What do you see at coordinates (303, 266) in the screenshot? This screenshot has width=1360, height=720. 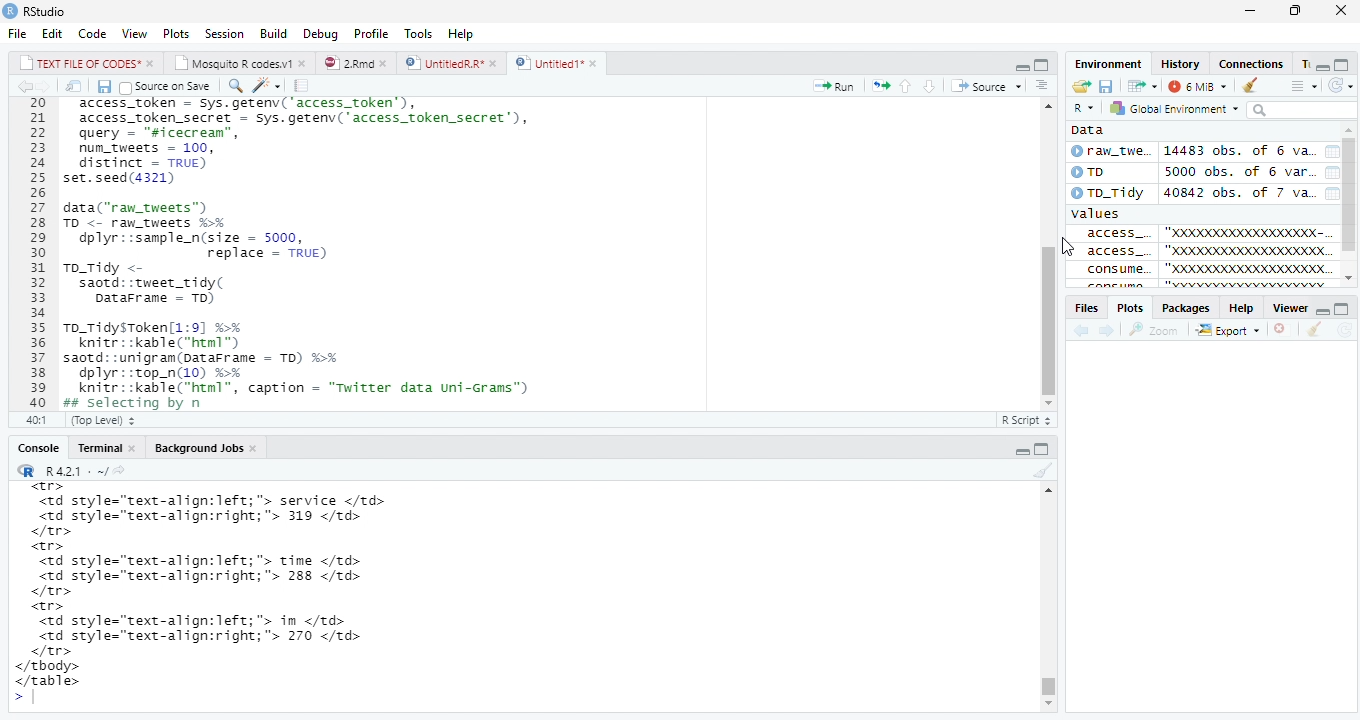 I see `20 access_token - Sys.getenv('access_token’),
21 access_token_secret - sys.getenv( access_token secret’),
22 query - "sicecrean”,

23 num_tweets = 100,

24 distinct = TRUE)

25 set.seed(4321)

26

27 data("raw_tweets")

28 TD <- raw tweets H¥

29 dplyr::sample_n(size = 5000,

30 replace = TRUE)

31 To_Tidy <-

32 saotd::tweet_tidy(

33 Datarrame - TD)

34

35 To_TidysToken[1:9] %%

36 knitr::kable("html™)

37 saotd: :unigram(pataFrame = TD) %>%

38 dplyr::top_n(10) %%

39 knitr::kable("html”, caption = "Twitter data uni-Grams")
40 Bs selecting bv n` at bounding box center [303, 266].